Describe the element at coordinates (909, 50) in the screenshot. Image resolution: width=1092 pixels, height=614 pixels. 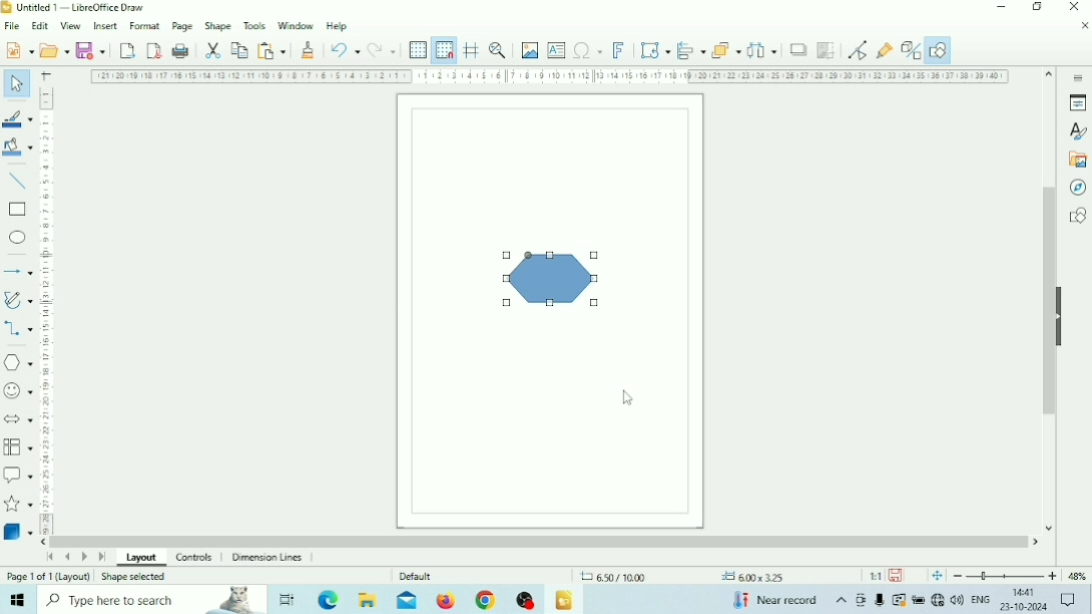
I see `Toggle Extrusion` at that location.